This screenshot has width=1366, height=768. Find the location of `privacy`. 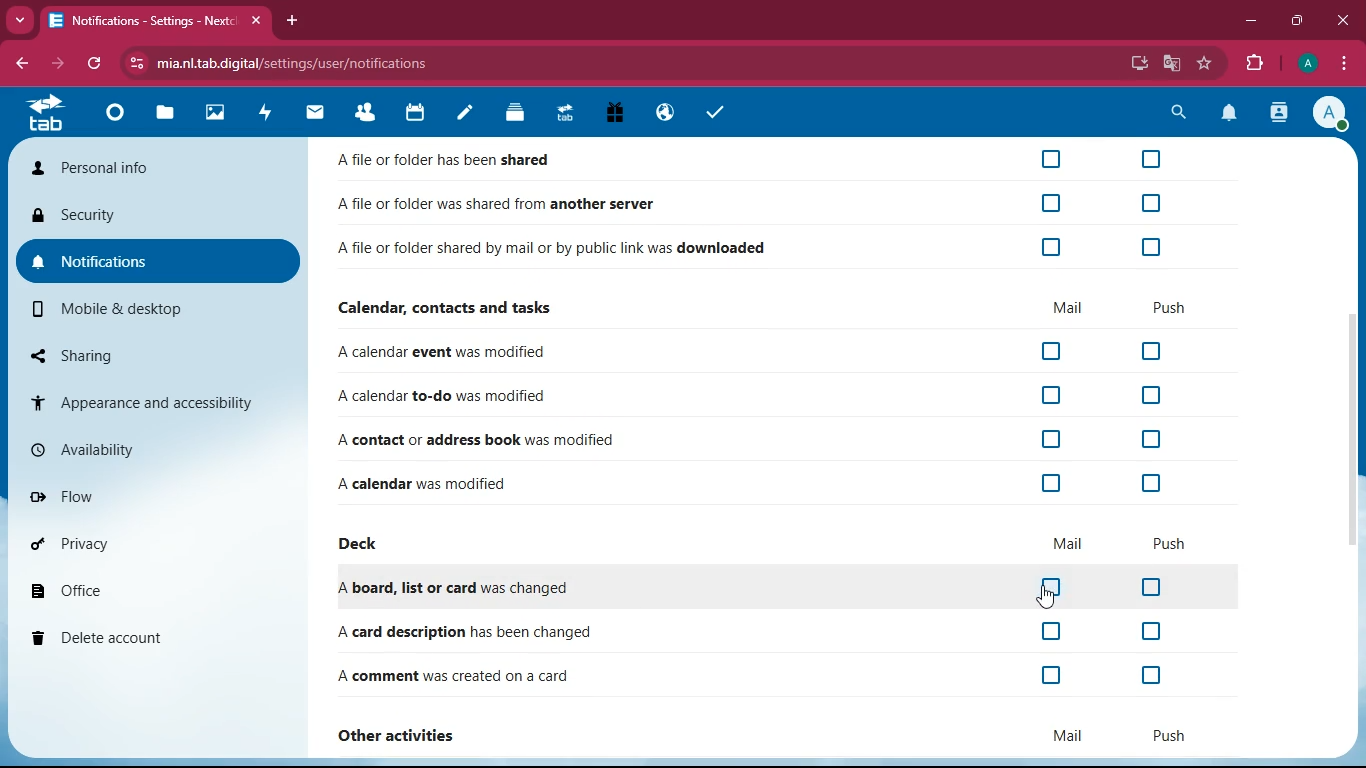

privacy is located at coordinates (155, 546).